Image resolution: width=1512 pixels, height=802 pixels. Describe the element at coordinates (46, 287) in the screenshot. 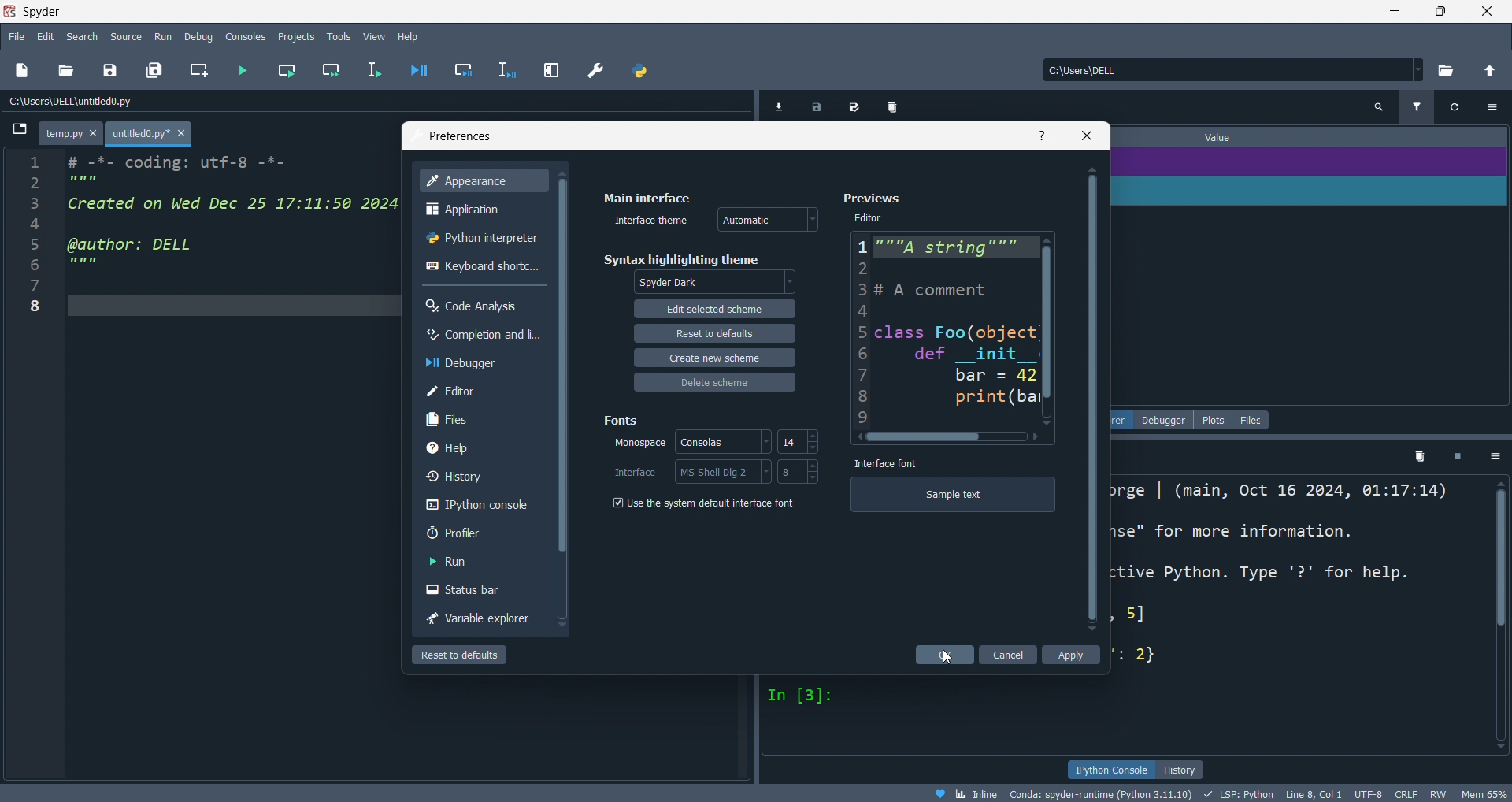

I see `7` at that location.